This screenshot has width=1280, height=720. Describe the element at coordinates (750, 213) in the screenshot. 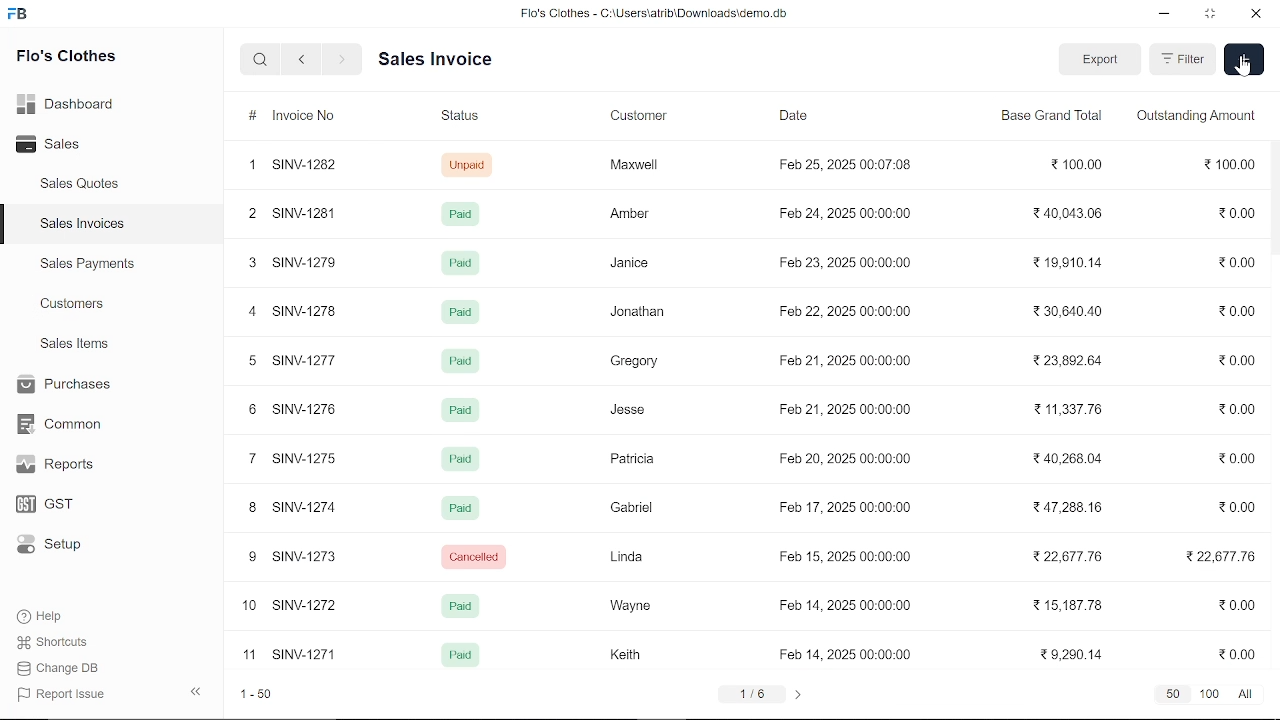

I see `2 SINV-1281 Pad Amber Feb 24, 2025 00:00:00 740,043.06 ?0.00` at that location.